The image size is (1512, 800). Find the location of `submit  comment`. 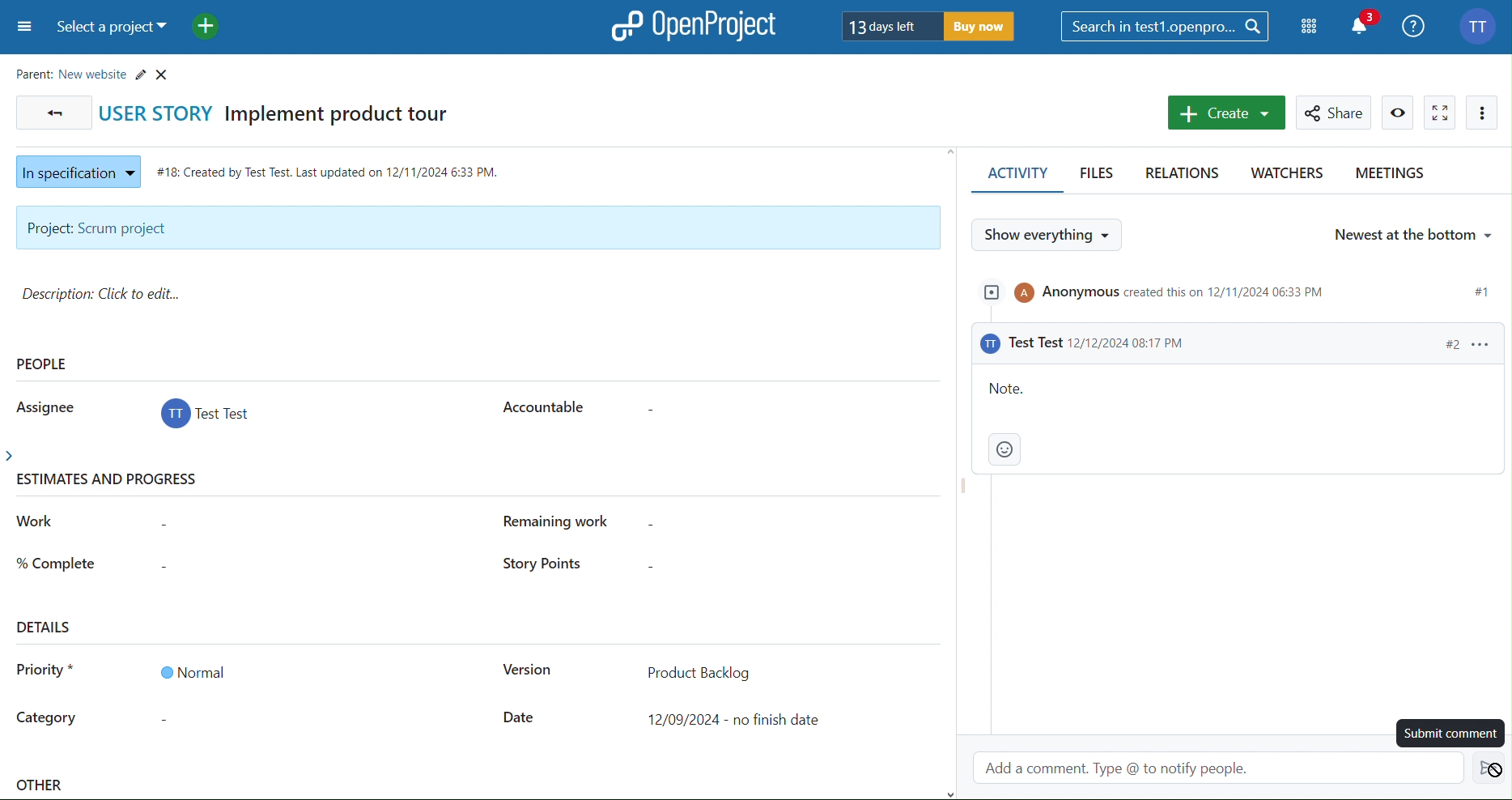

submit  comment is located at coordinates (1447, 733).